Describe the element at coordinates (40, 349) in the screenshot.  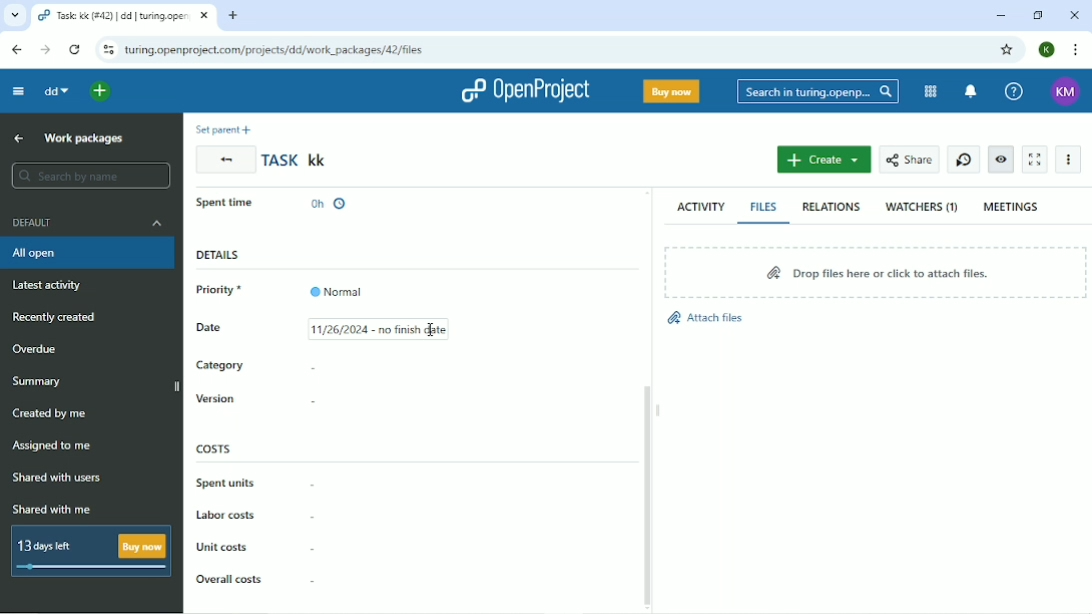
I see `Overdue` at that location.